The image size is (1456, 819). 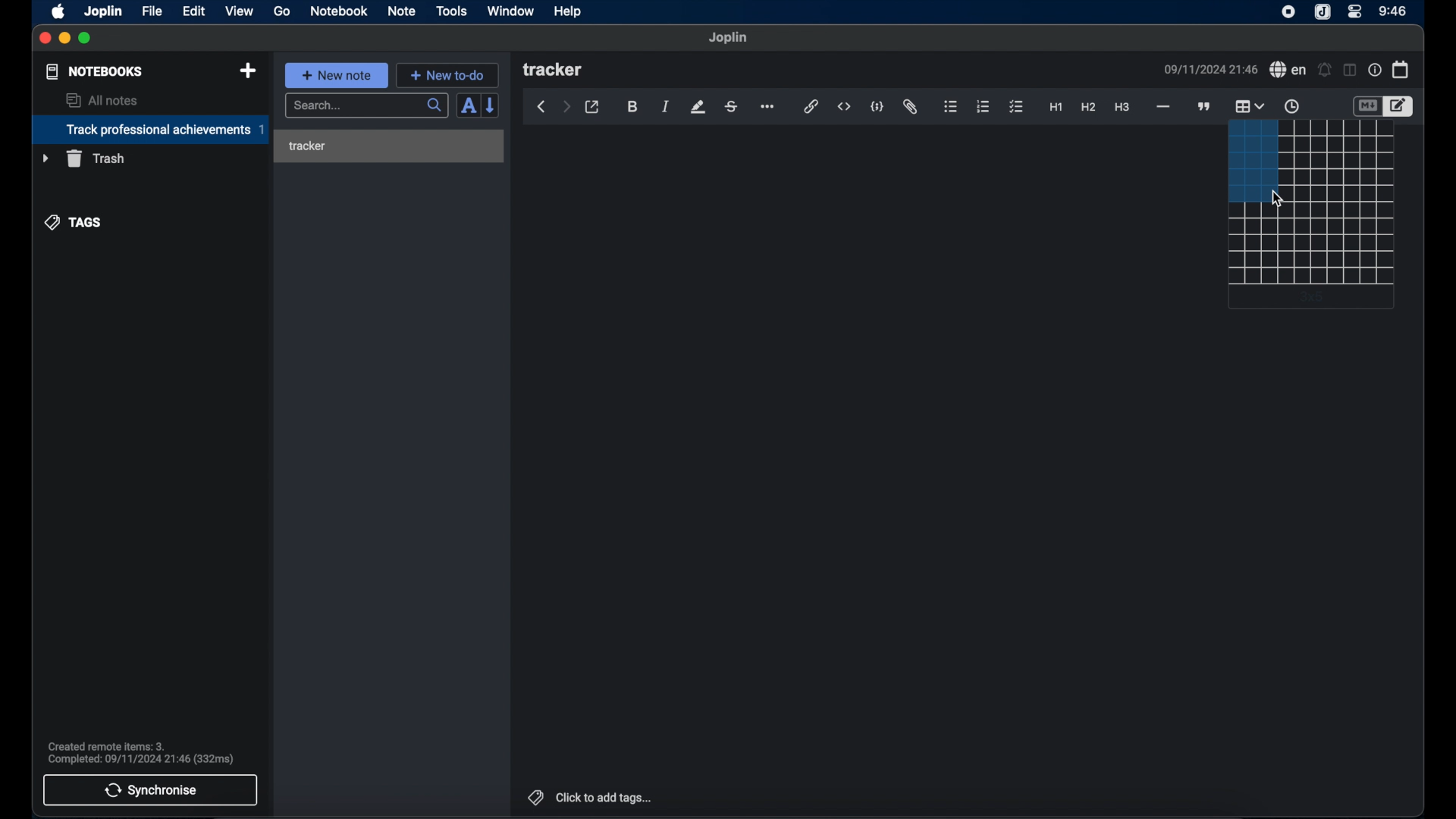 I want to click on file, so click(x=152, y=11).